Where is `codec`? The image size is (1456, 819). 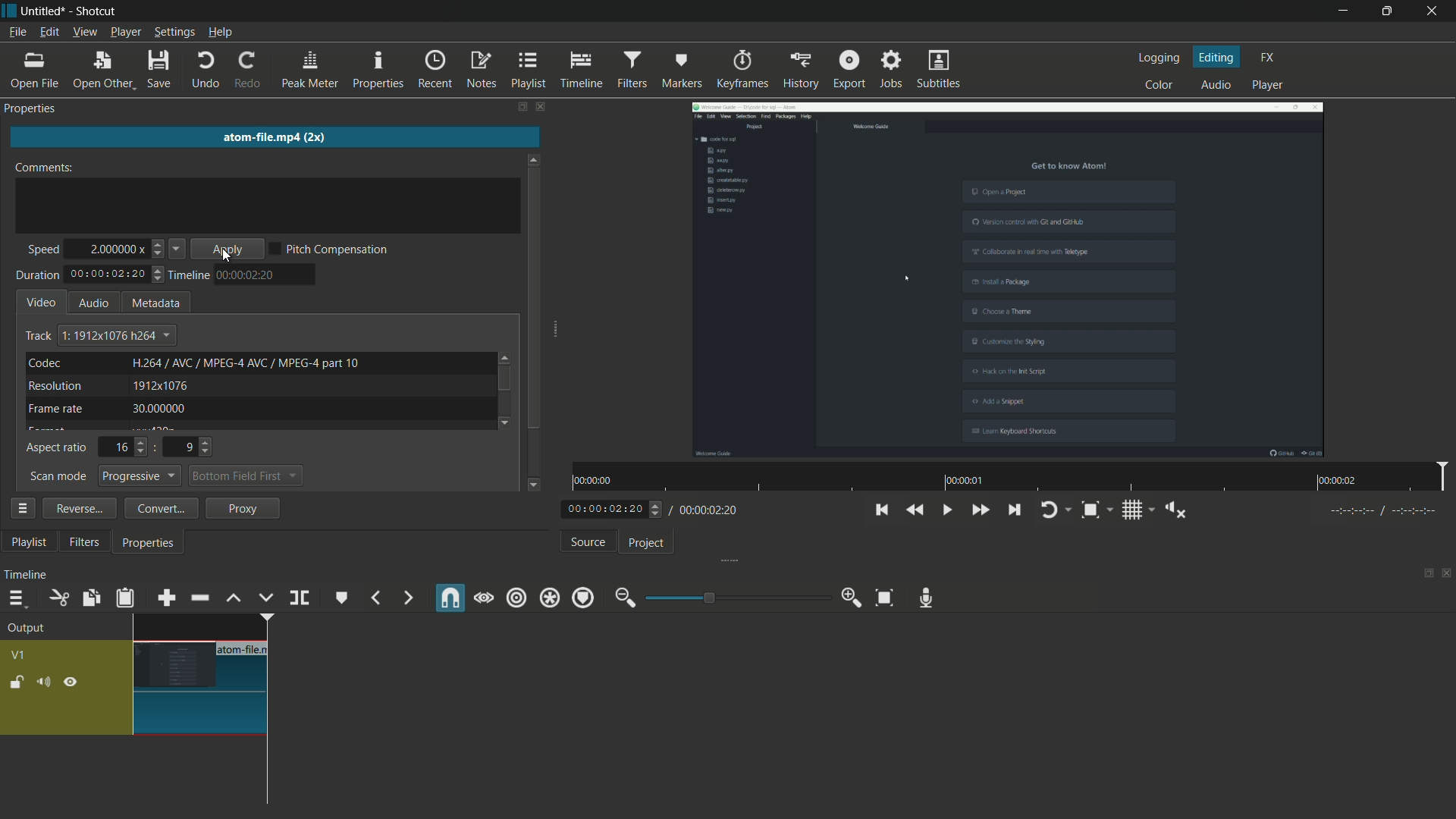 codec is located at coordinates (45, 362).